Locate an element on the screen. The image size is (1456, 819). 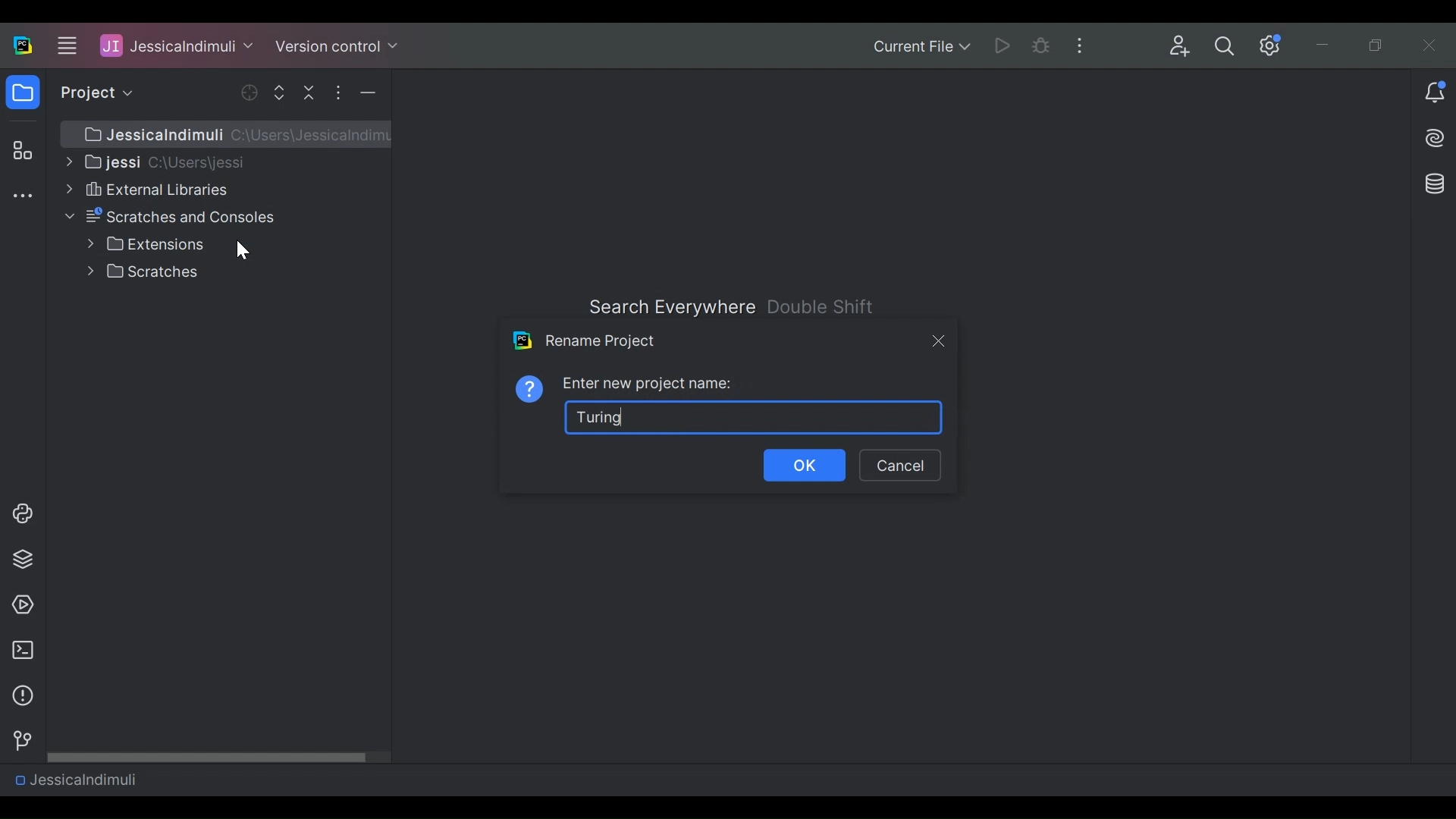
Extensions is located at coordinates (146, 244).